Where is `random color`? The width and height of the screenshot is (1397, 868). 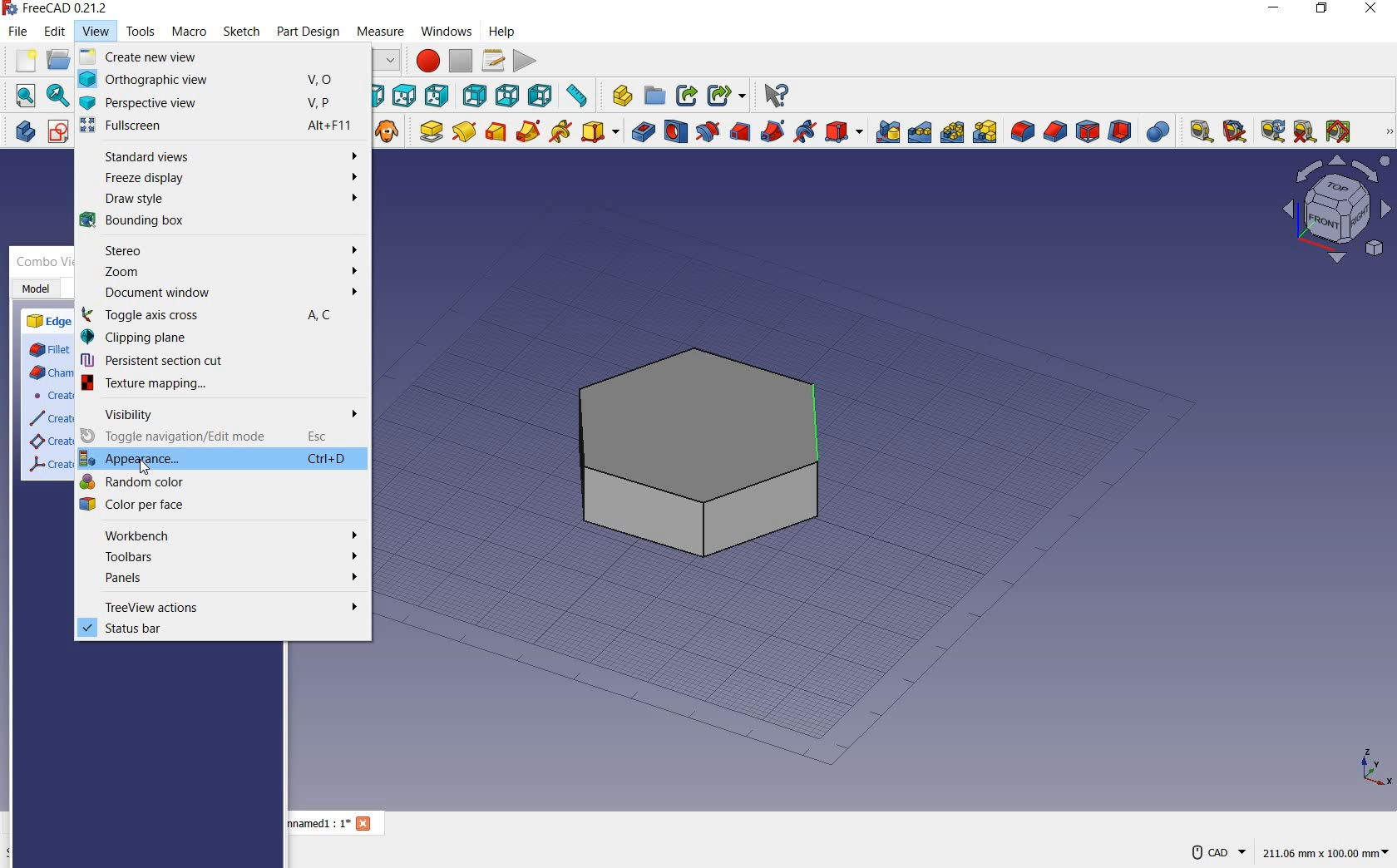 random color is located at coordinates (224, 484).